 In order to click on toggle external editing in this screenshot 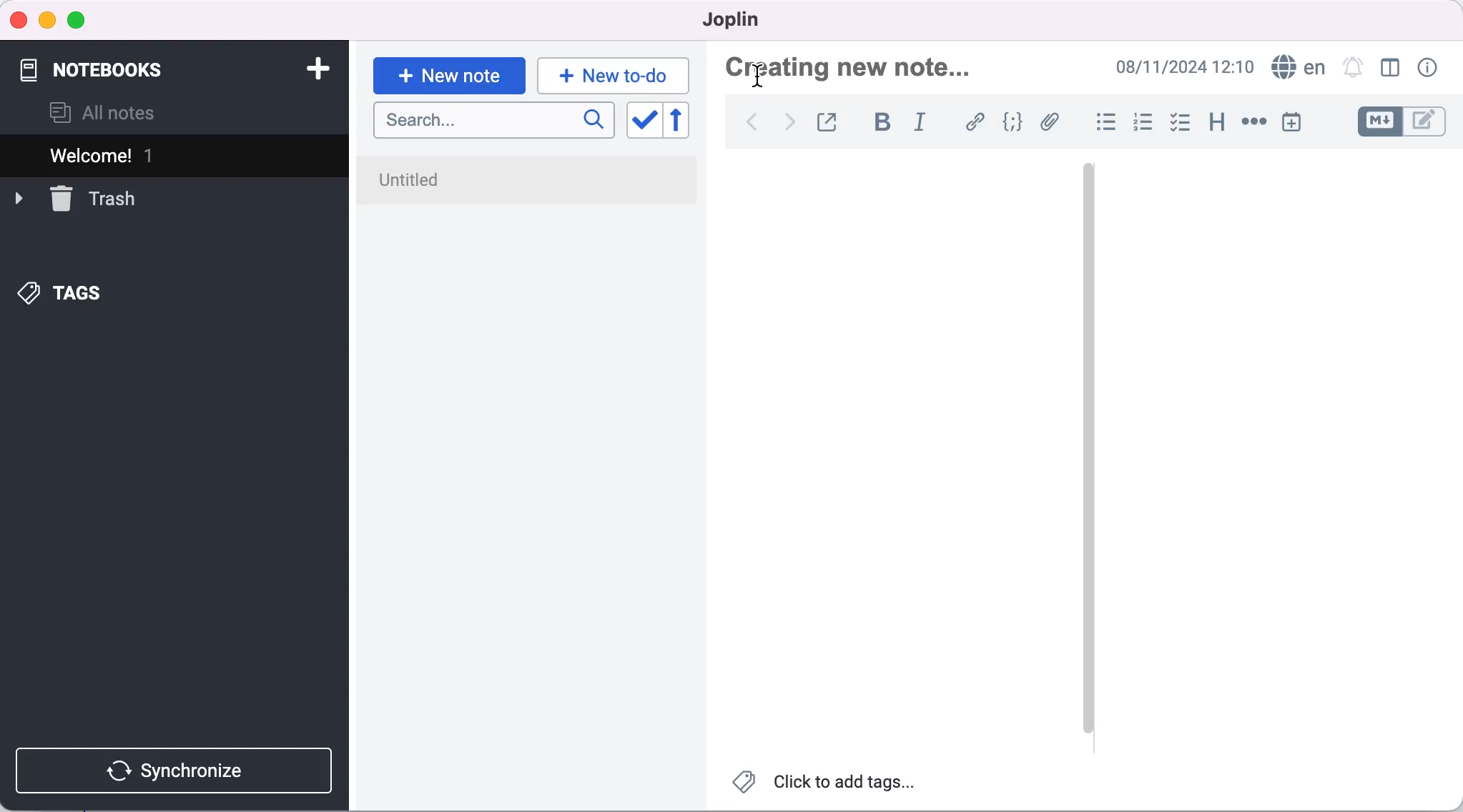, I will do `click(827, 124)`.